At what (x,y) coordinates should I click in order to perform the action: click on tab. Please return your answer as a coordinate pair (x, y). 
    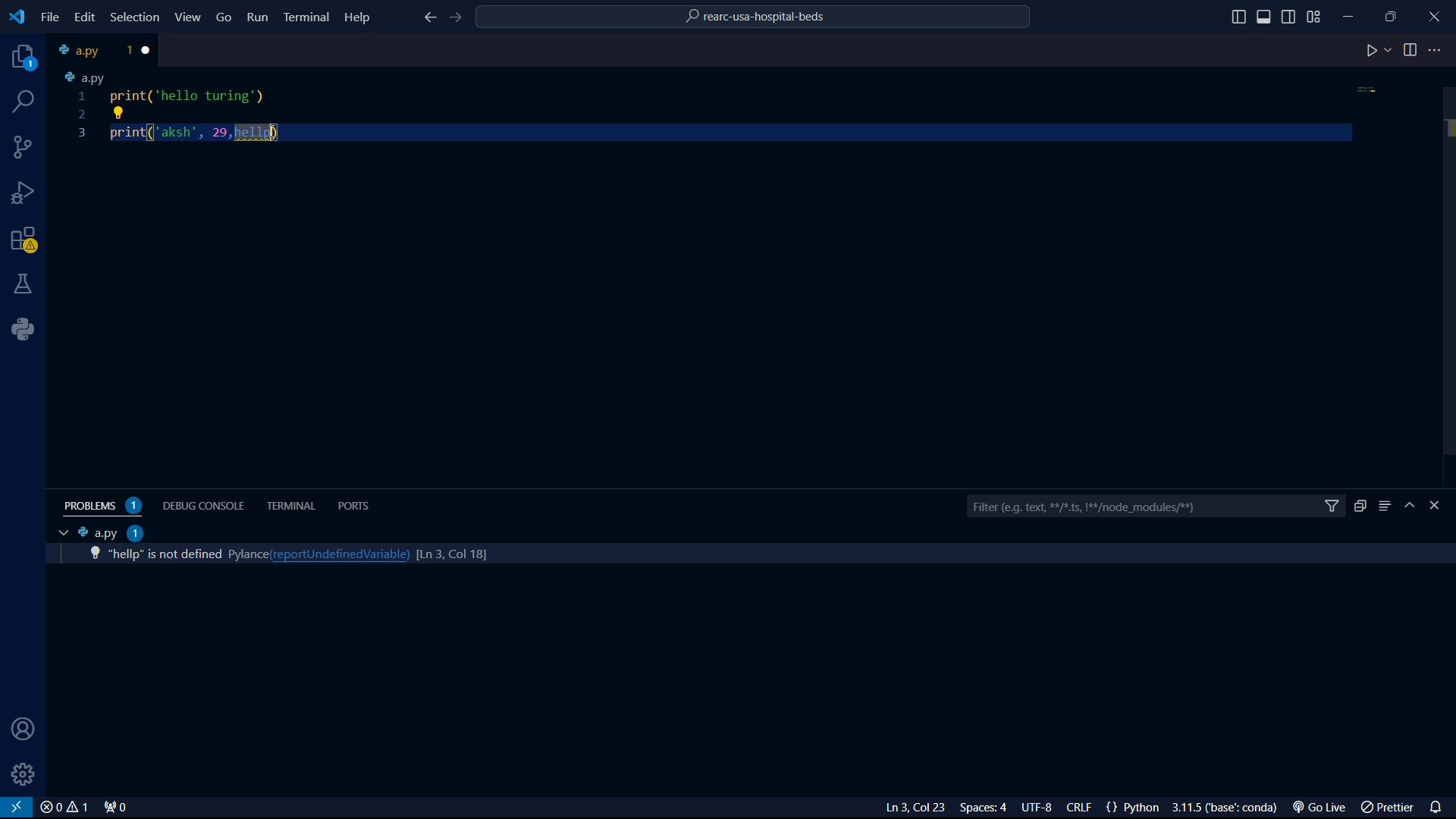
    Looking at the image, I should click on (59, 533).